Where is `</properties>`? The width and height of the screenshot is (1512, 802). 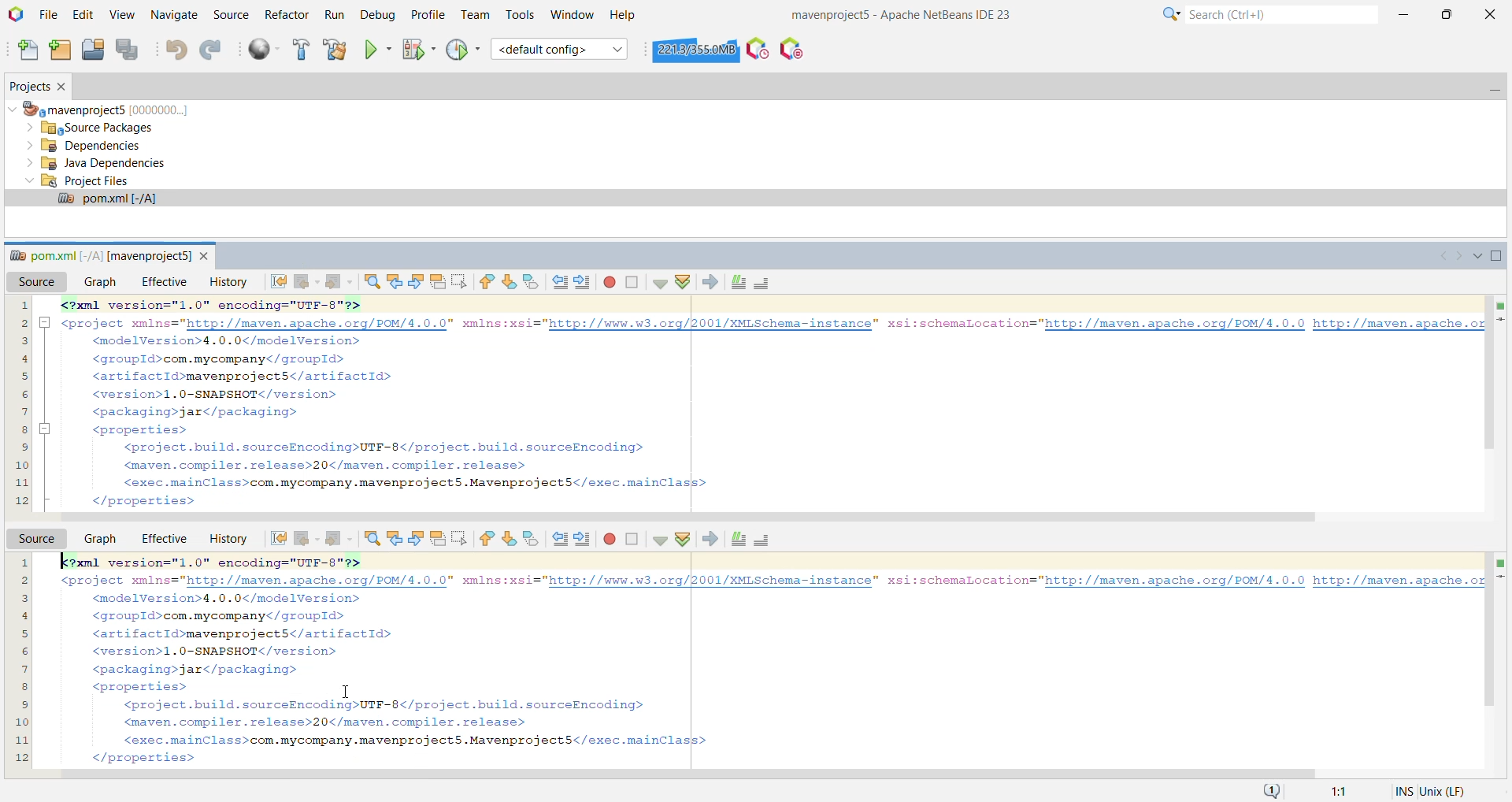 </properties> is located at coordinates (143, 501).